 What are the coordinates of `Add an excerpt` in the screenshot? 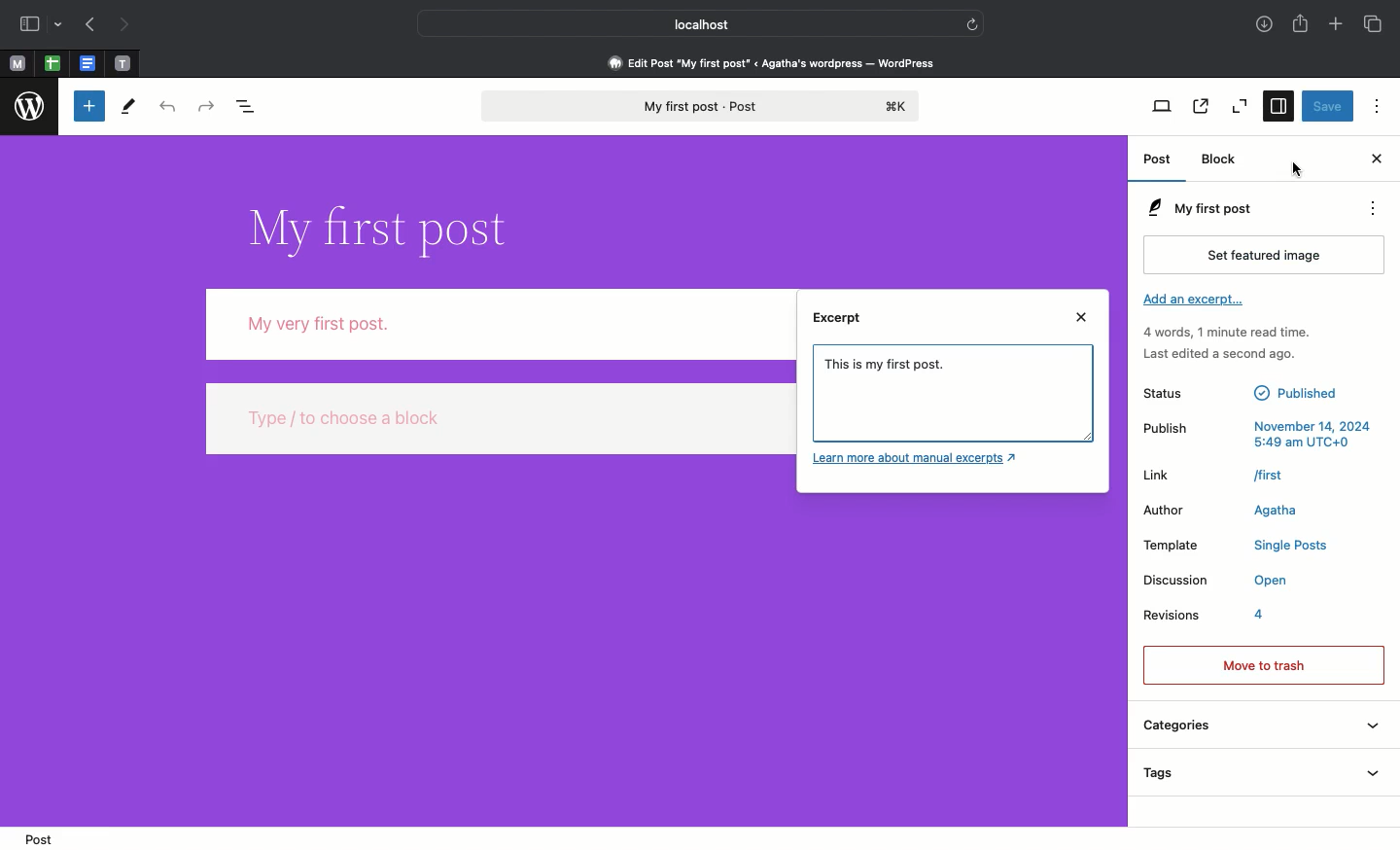 It's located at (1195, 303).